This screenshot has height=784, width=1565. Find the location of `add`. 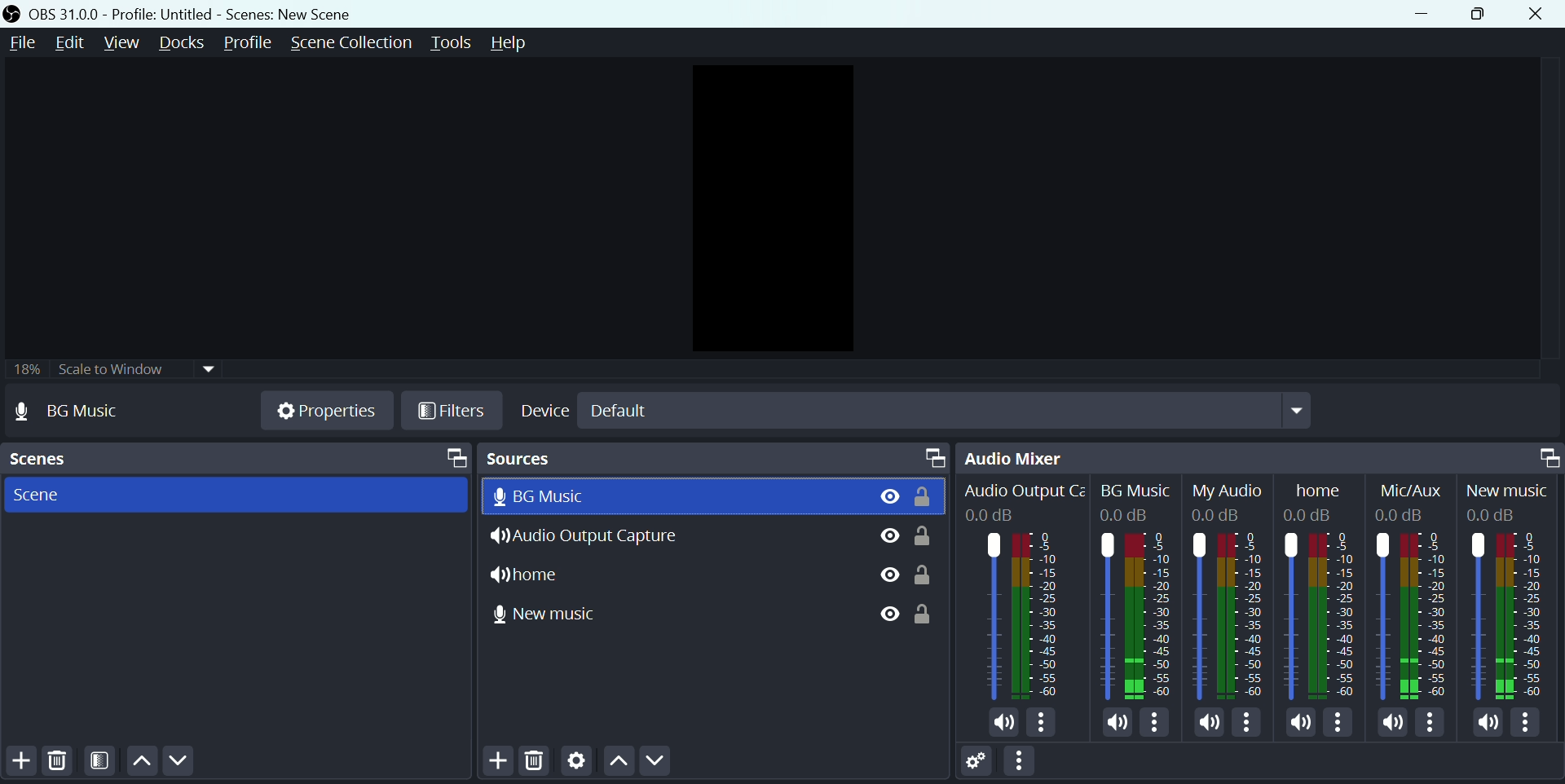

add is located at coordinates (494, 764).